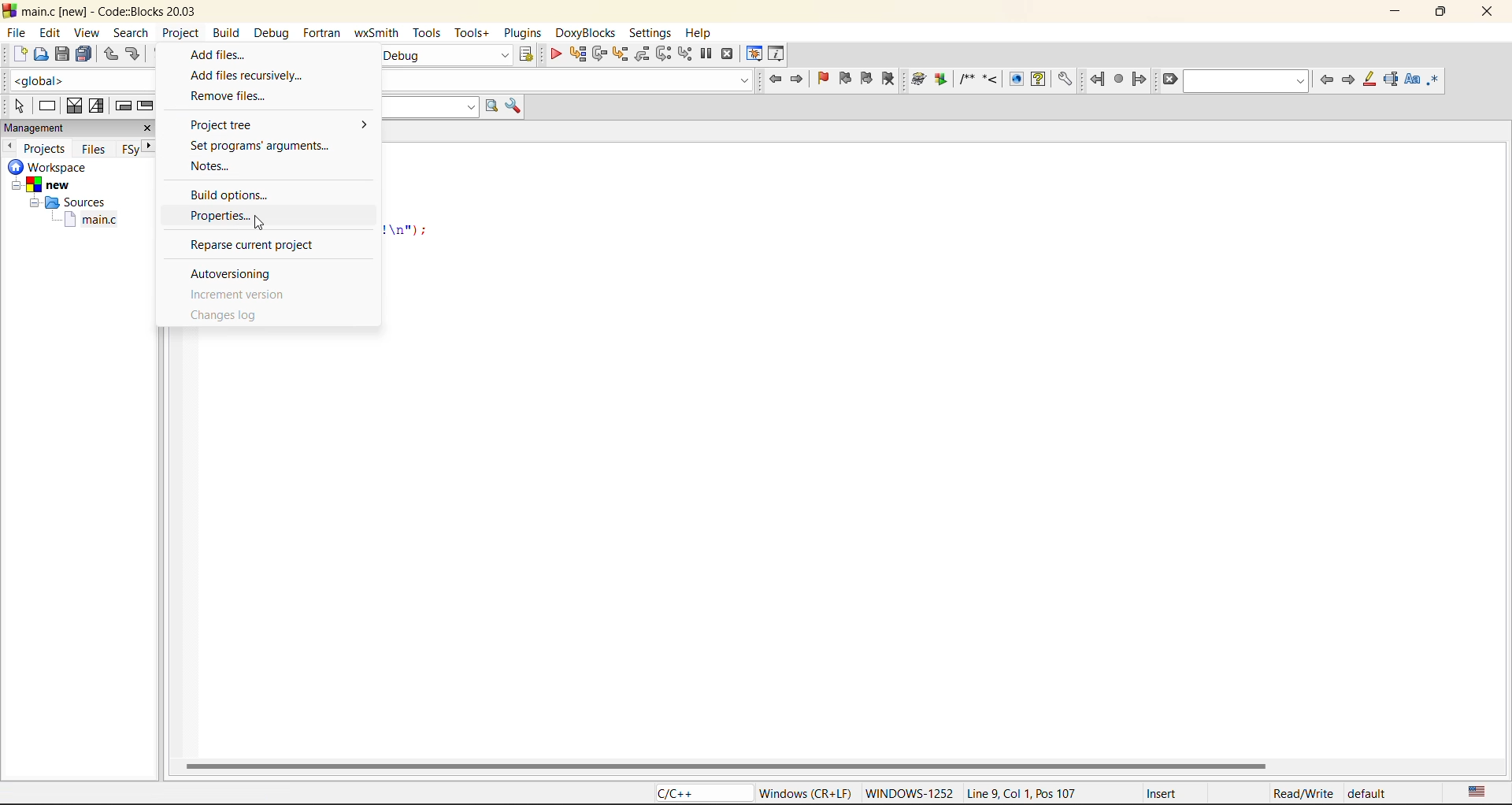  I want to click on Add Files.., so click(266, 53).